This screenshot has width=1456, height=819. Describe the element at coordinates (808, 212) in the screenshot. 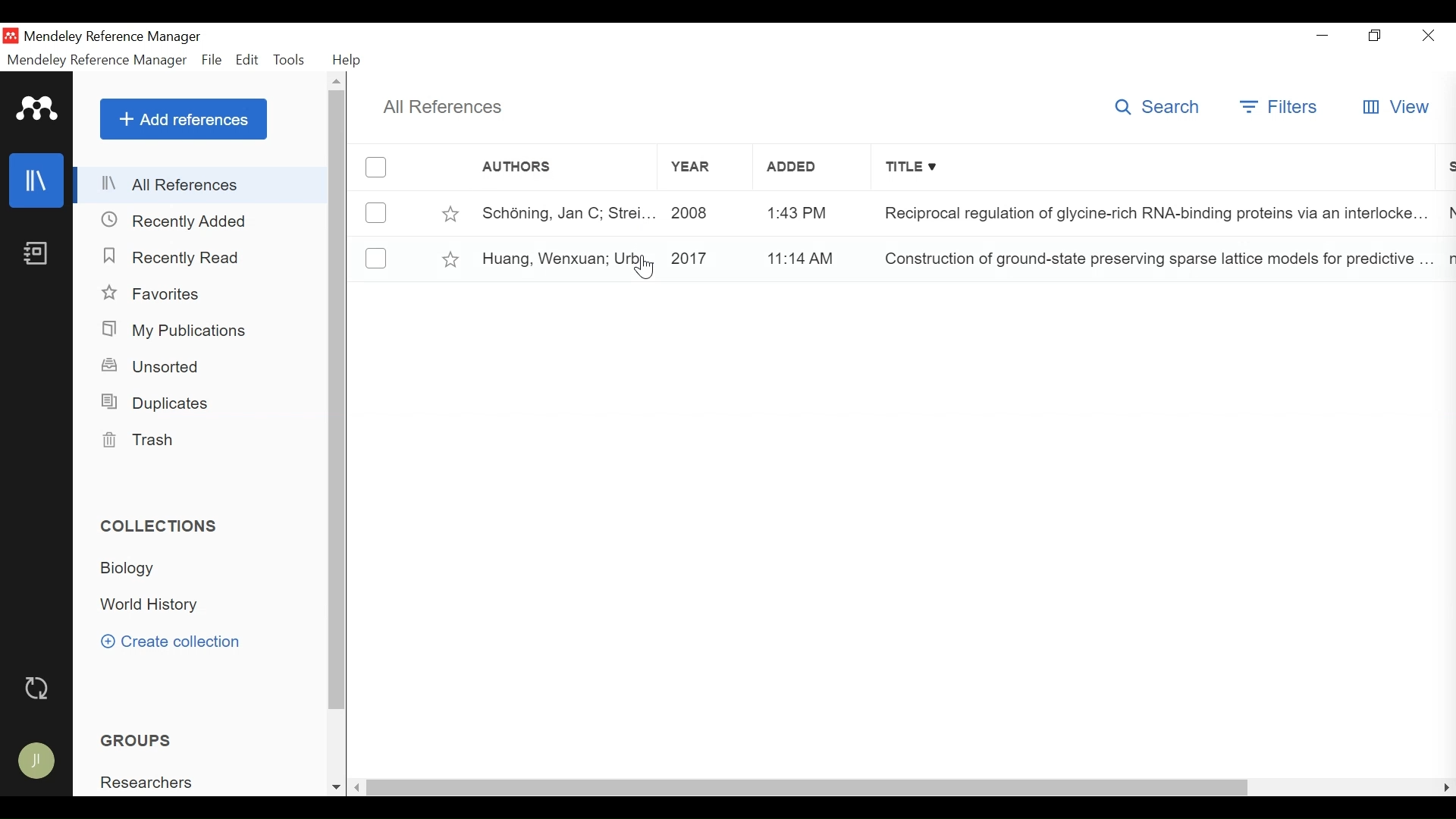

I see `Added` at that location.